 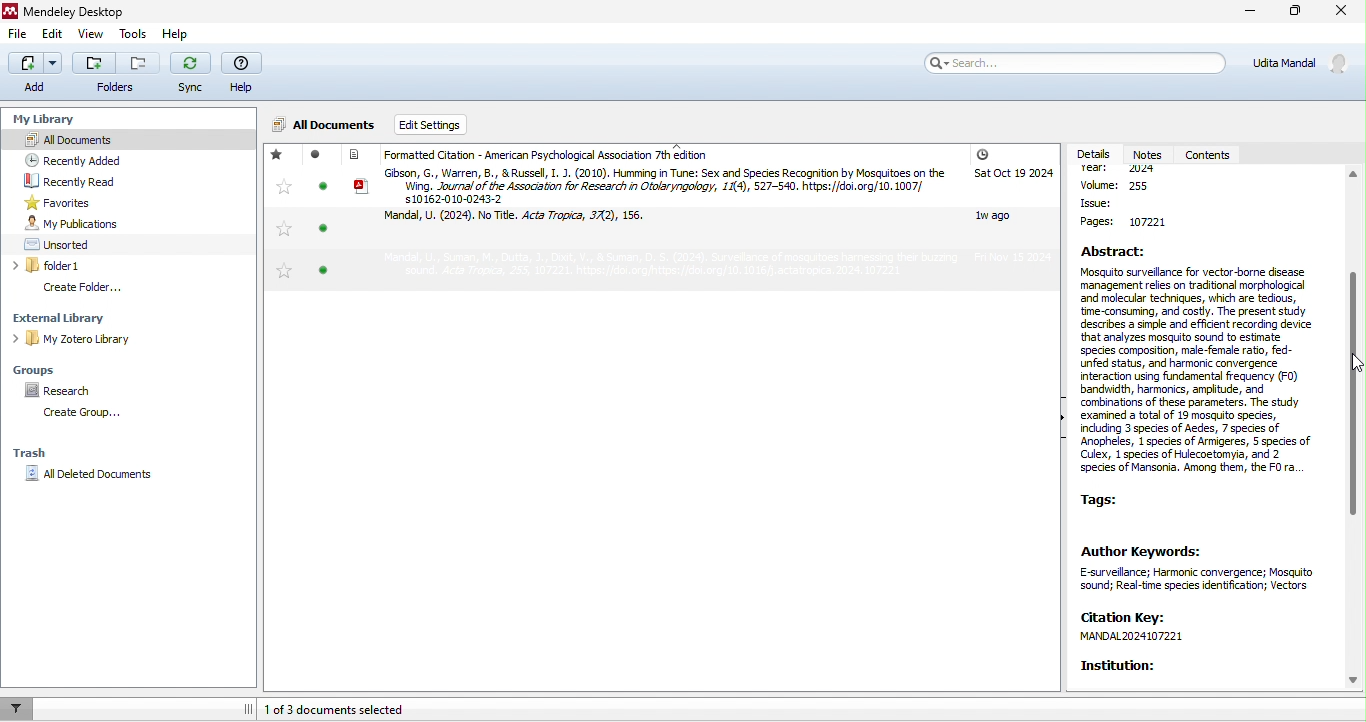 I want to click on folder1, so click(x=98, y=266).